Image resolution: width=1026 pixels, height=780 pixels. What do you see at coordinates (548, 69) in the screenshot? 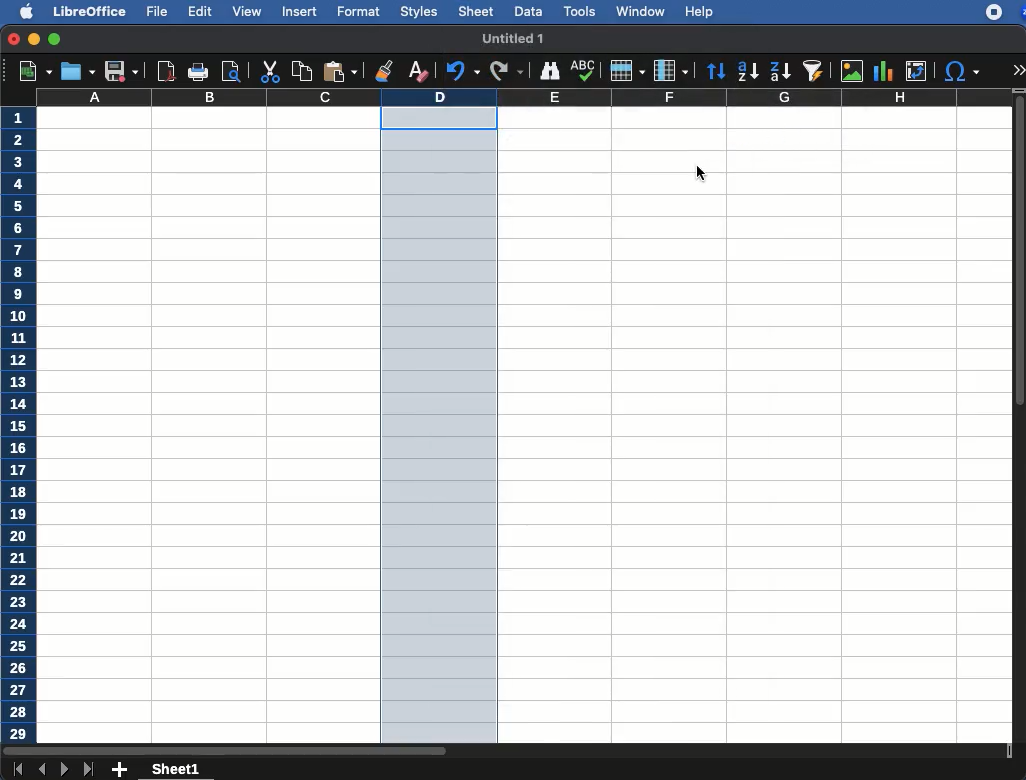
I see `find` at bounding box center [548, 69].